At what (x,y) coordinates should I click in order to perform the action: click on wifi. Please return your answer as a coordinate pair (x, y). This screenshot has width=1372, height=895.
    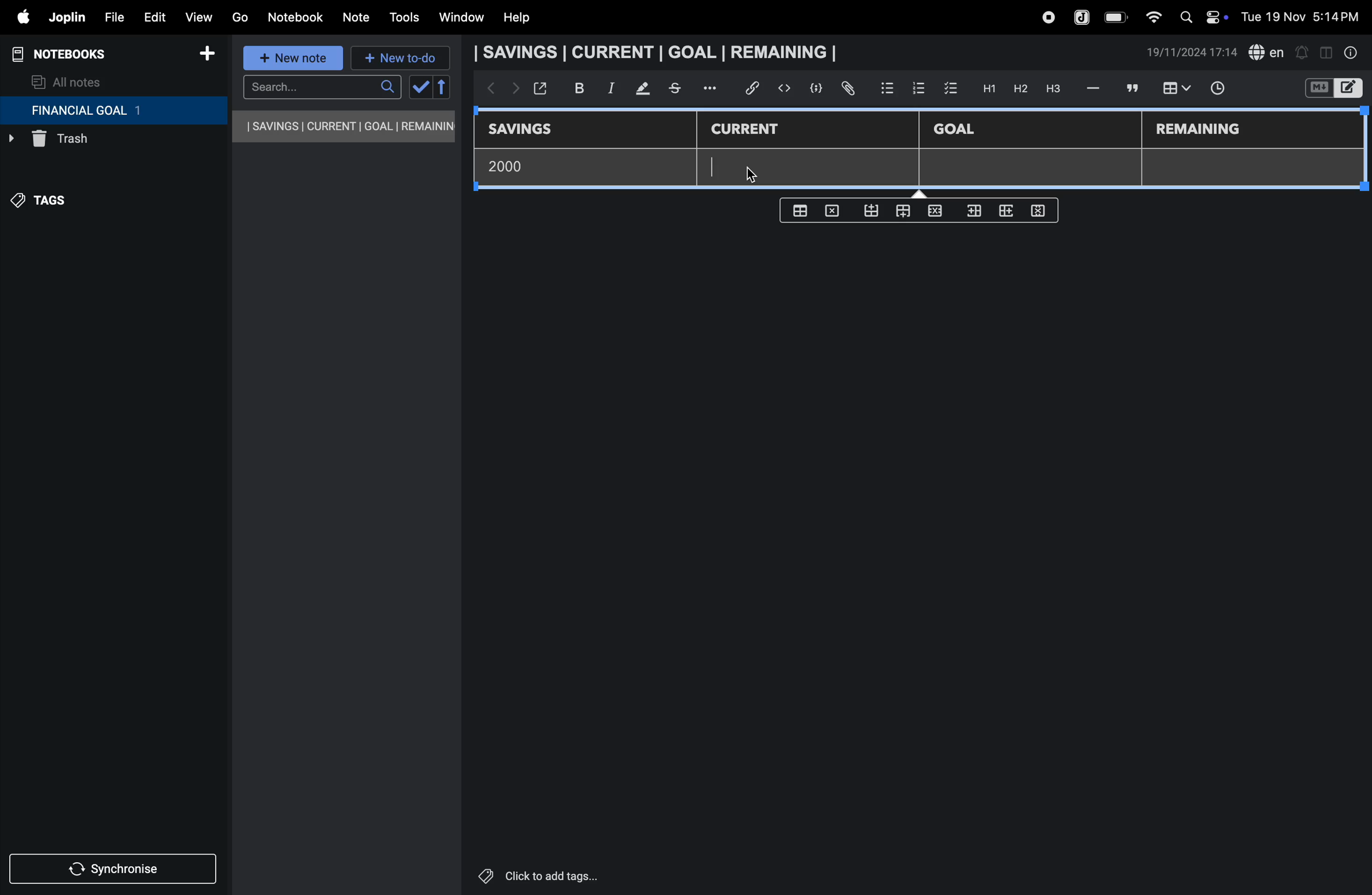
    Looking at the image, I should click on (1150, 17).